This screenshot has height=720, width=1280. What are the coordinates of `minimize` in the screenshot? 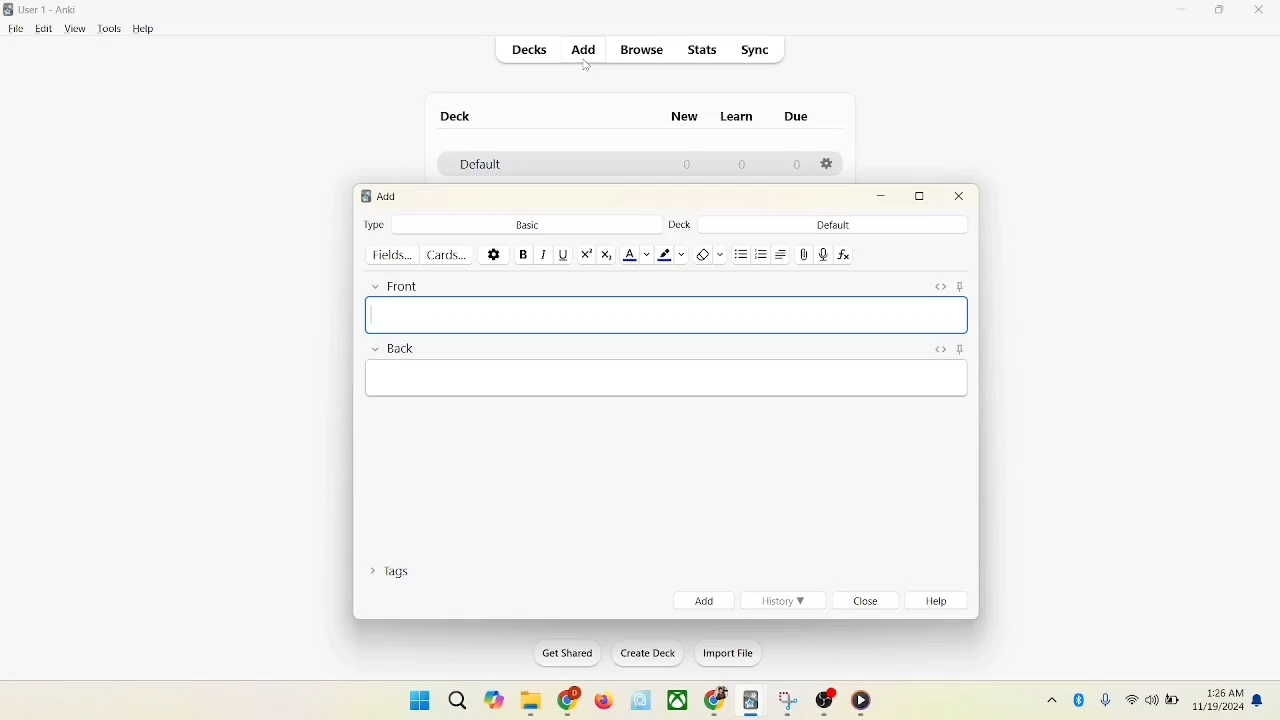 It's located at (1183, 11).